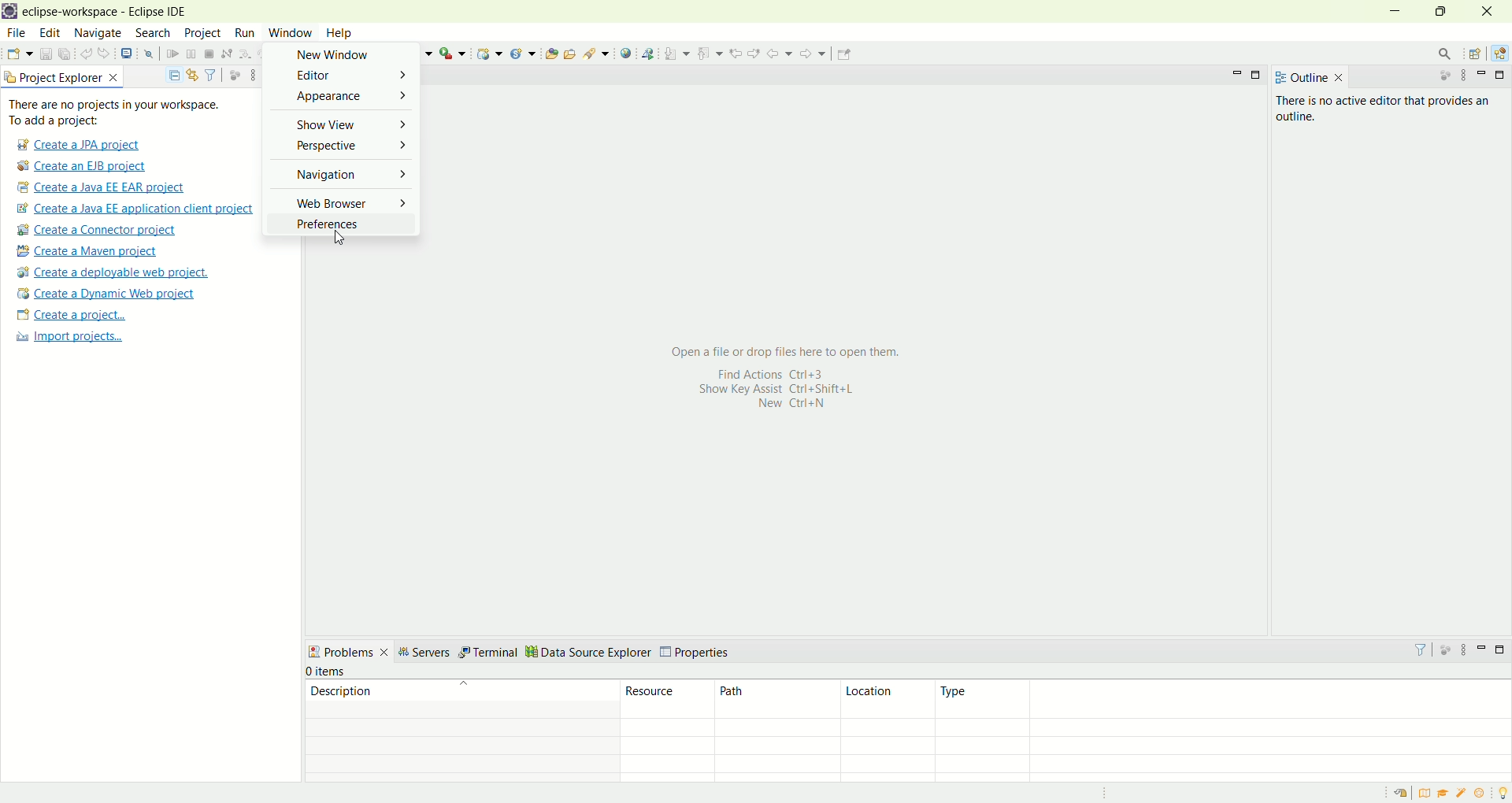 The image size is (1512, 803). What do you see at coordinates (94, 231) in the screenshot?
I see `create a connector project` at bounding box center [94, 231].